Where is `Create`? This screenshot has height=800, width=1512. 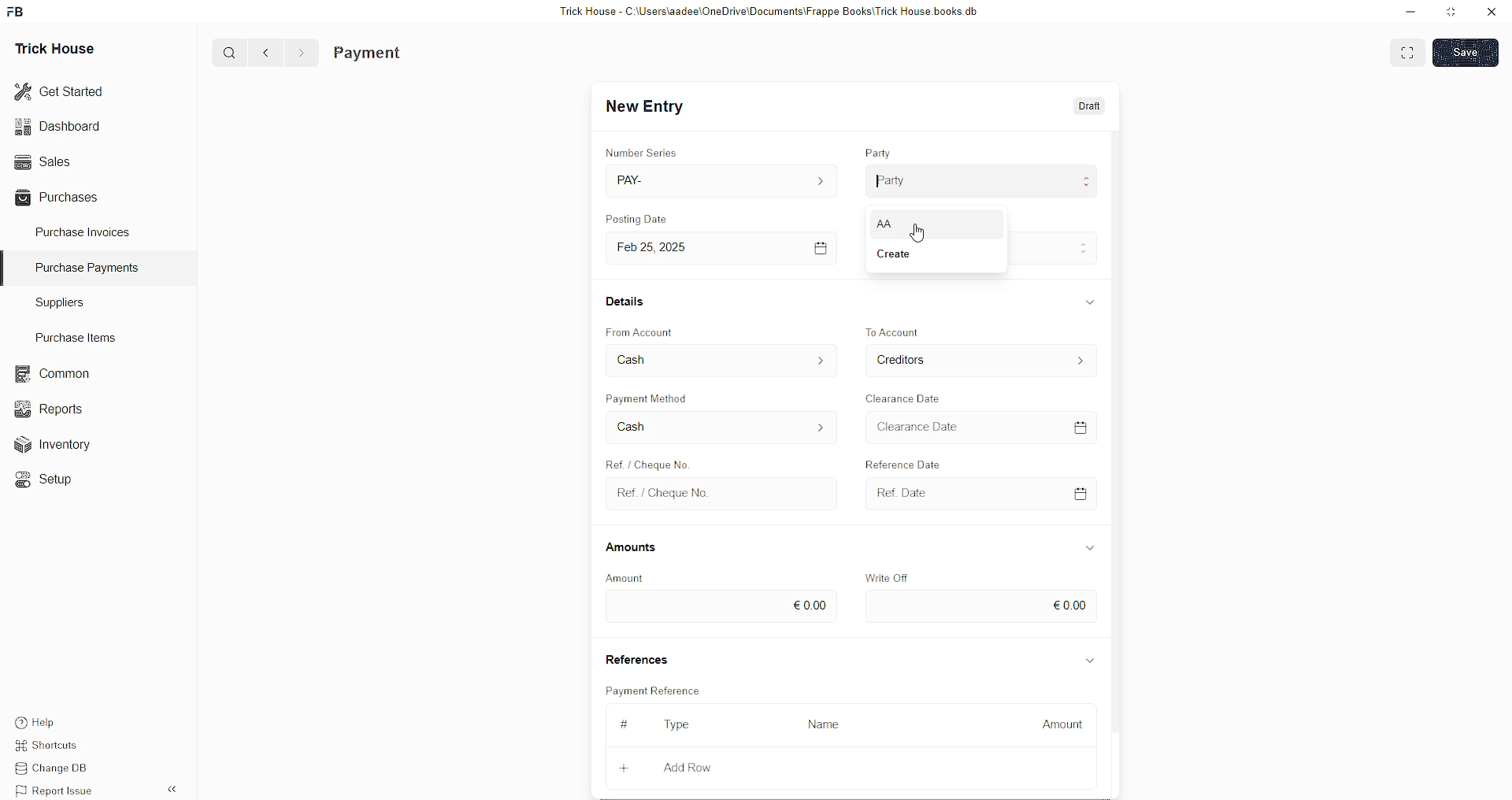
Create is located at coordinates (645, 461).